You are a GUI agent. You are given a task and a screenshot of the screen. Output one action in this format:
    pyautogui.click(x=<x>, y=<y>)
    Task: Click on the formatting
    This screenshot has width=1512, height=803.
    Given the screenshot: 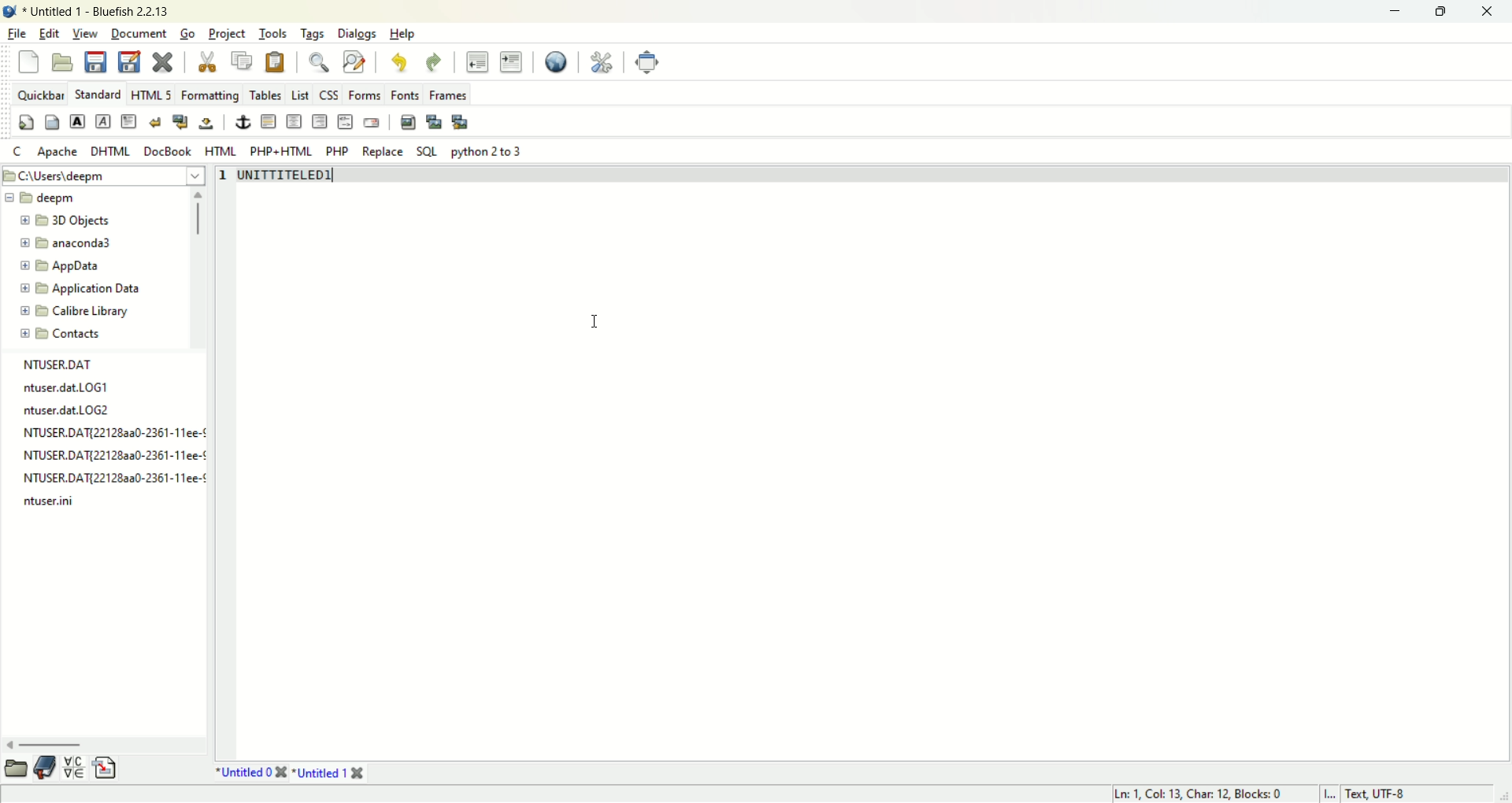 What is the action you would take?
    pyautogui.click(x=207, y=97)
    